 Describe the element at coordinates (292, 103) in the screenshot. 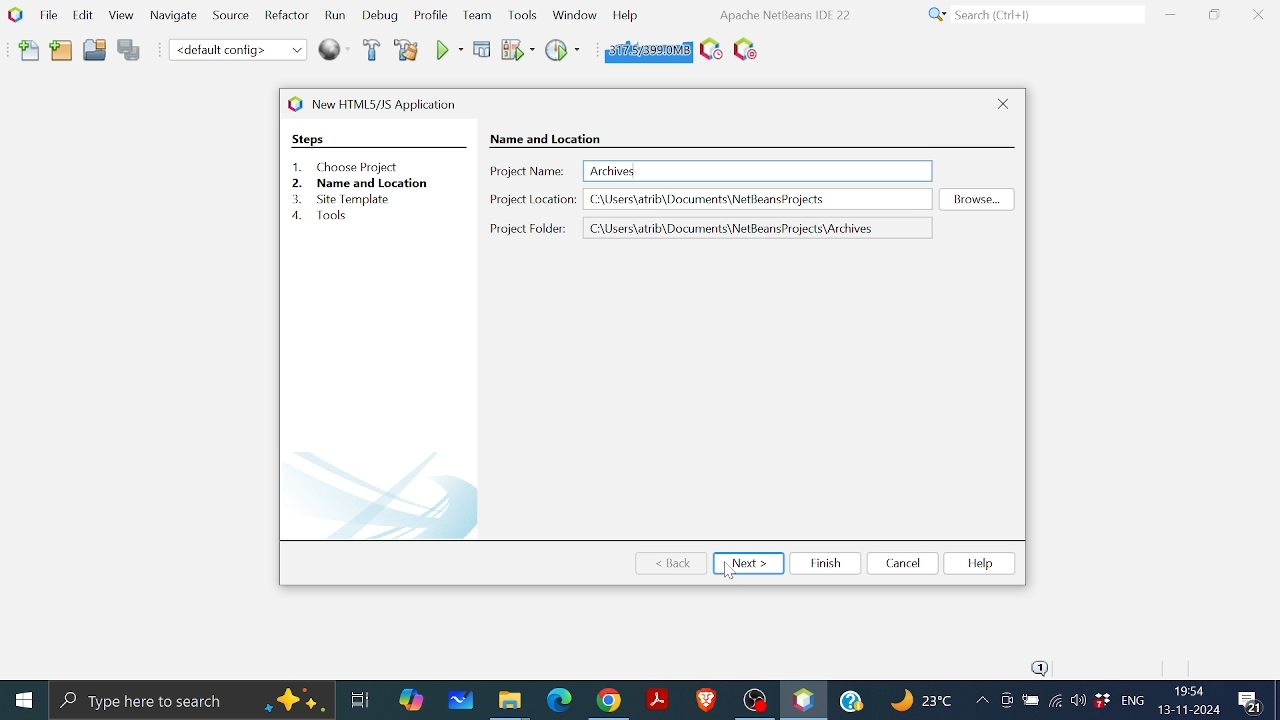

I see `logo` at that location.